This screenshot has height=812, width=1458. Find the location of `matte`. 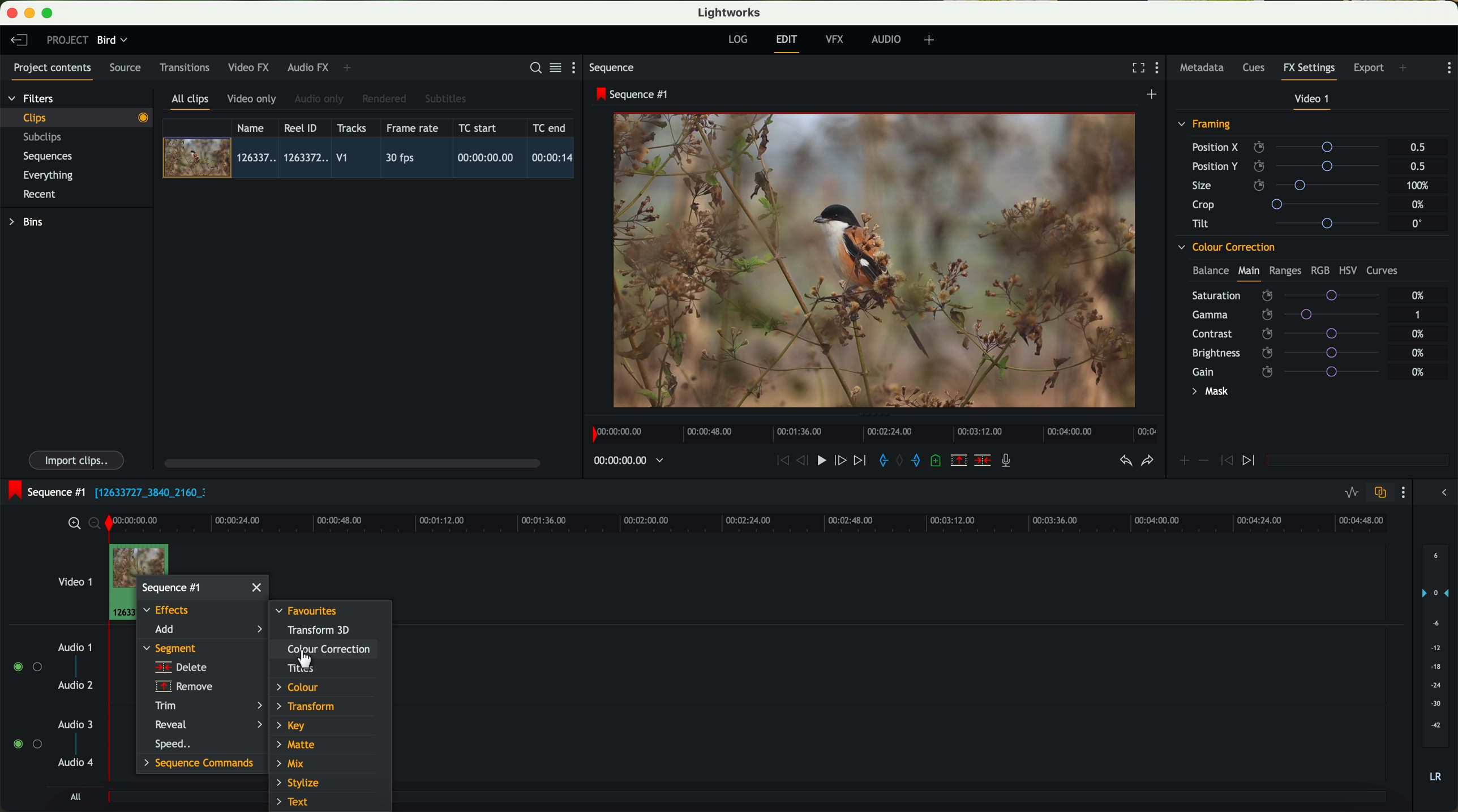

matte is located at coordinates (296, 744).